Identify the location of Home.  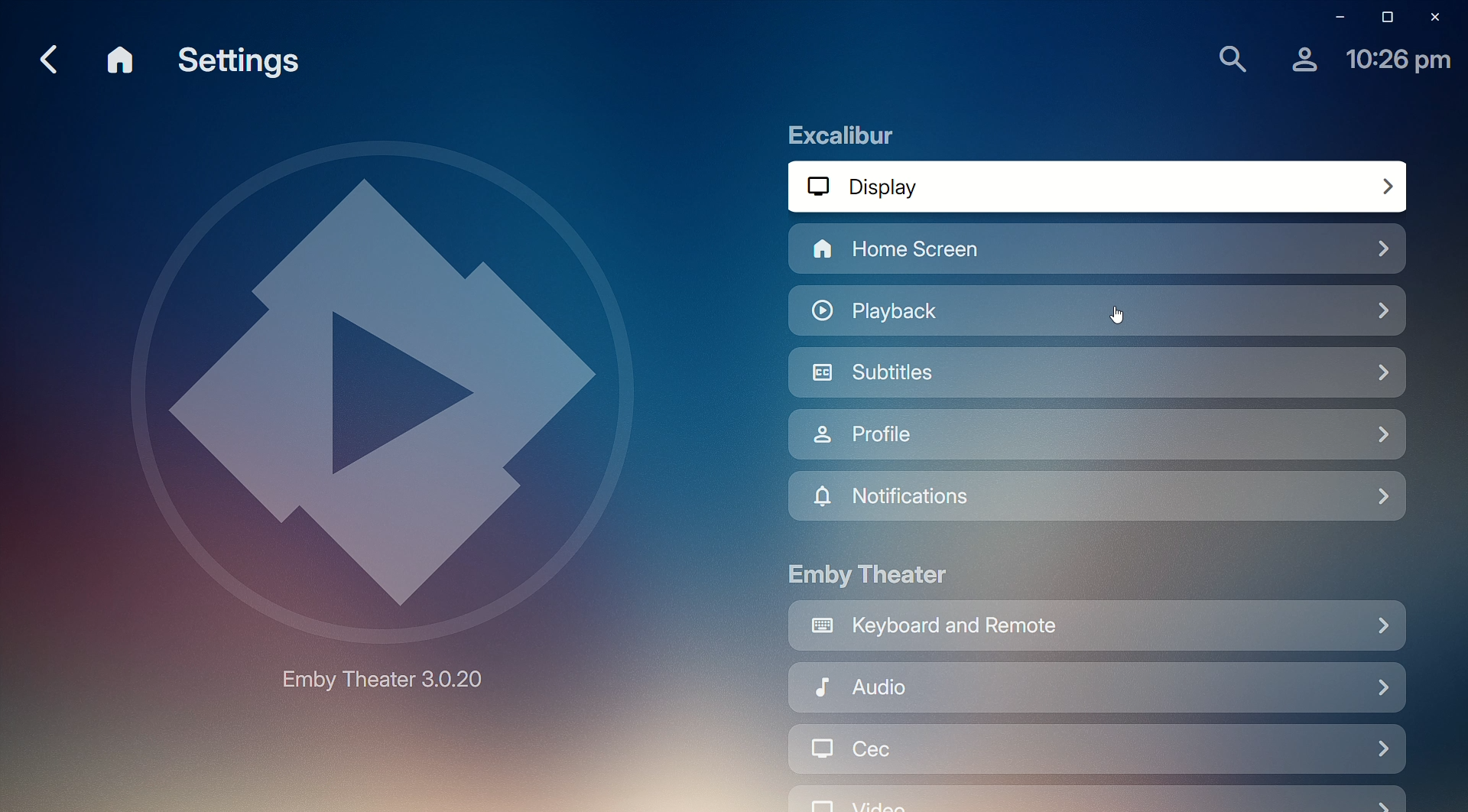
(122, 61).